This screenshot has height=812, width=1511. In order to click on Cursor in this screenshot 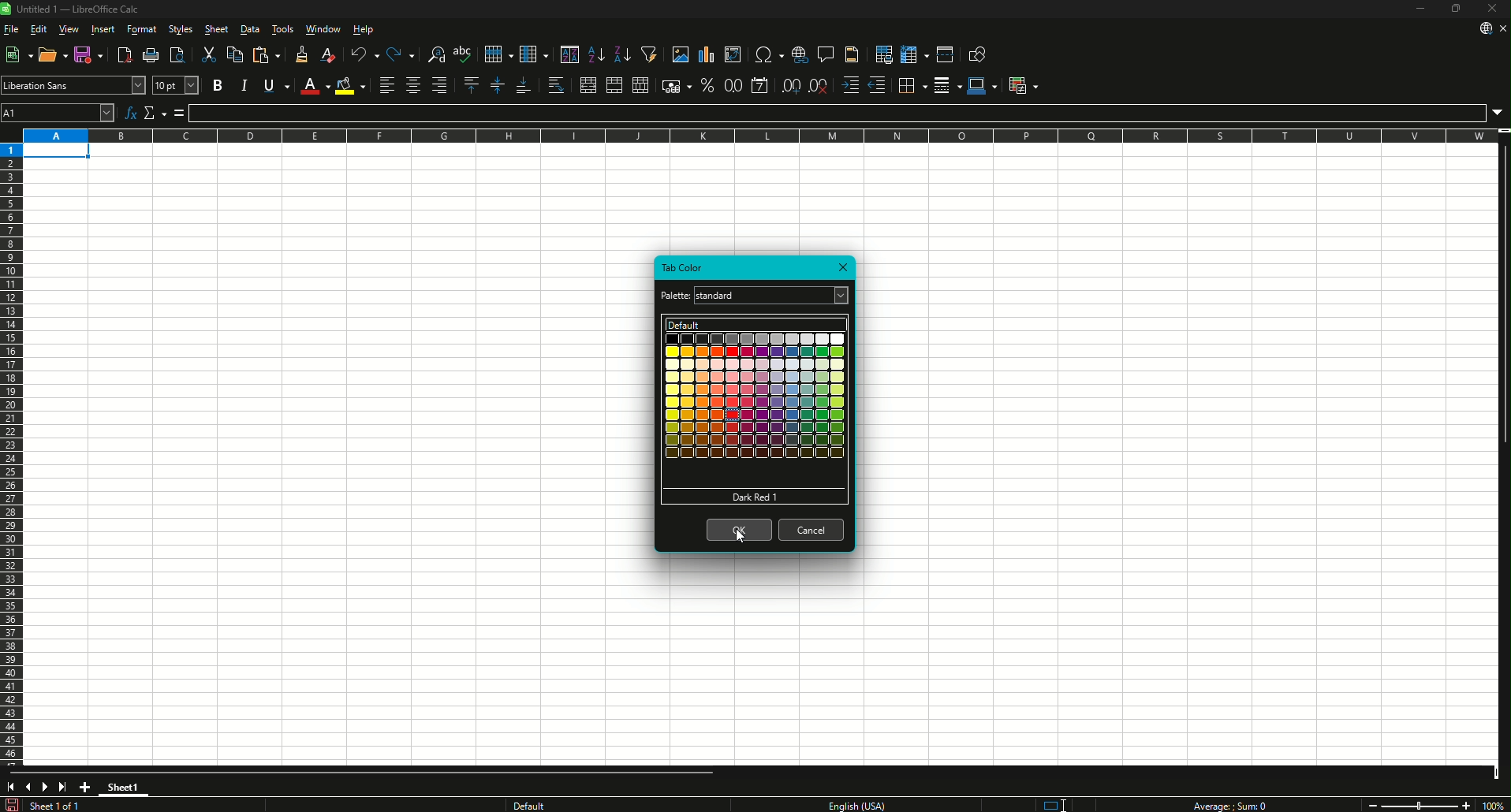, I will do `click(741, 535)`.